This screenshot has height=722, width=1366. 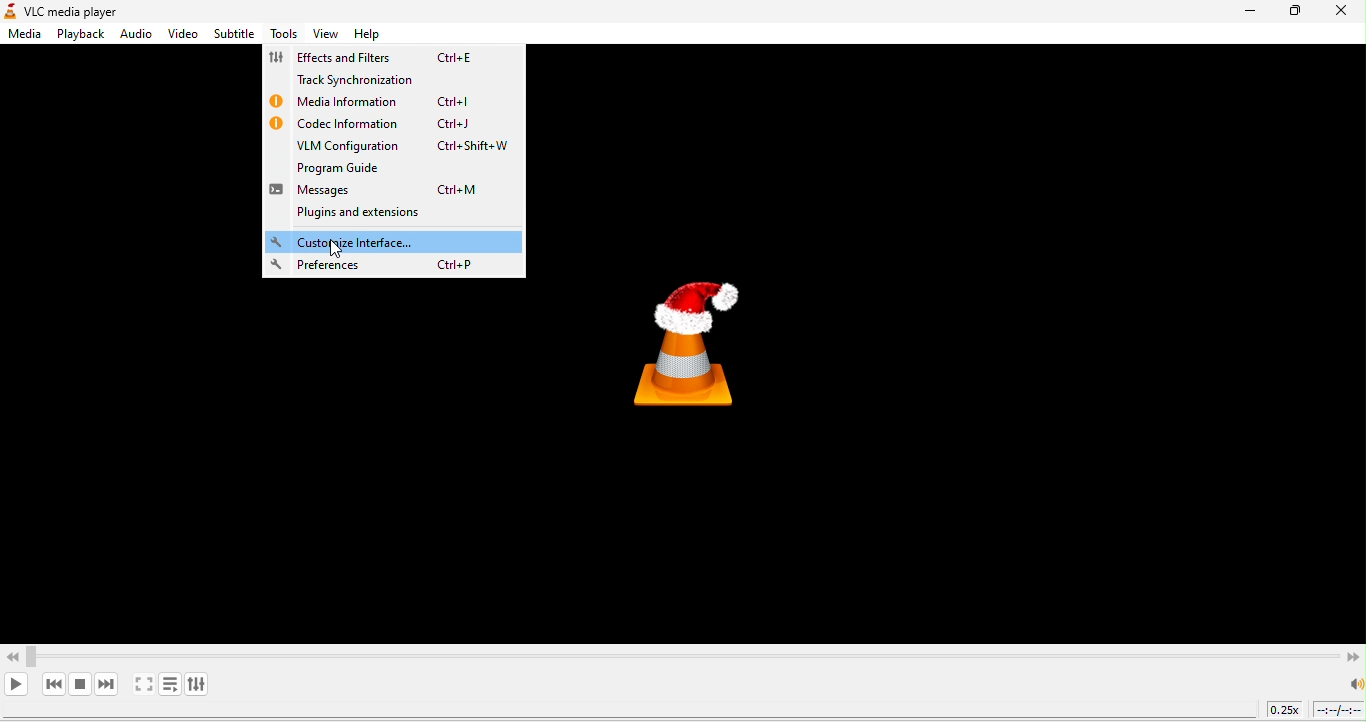 What do you see at coordinates (379, 125) in the screenshot?
I see `codec information` at bounding box center [379, 125].